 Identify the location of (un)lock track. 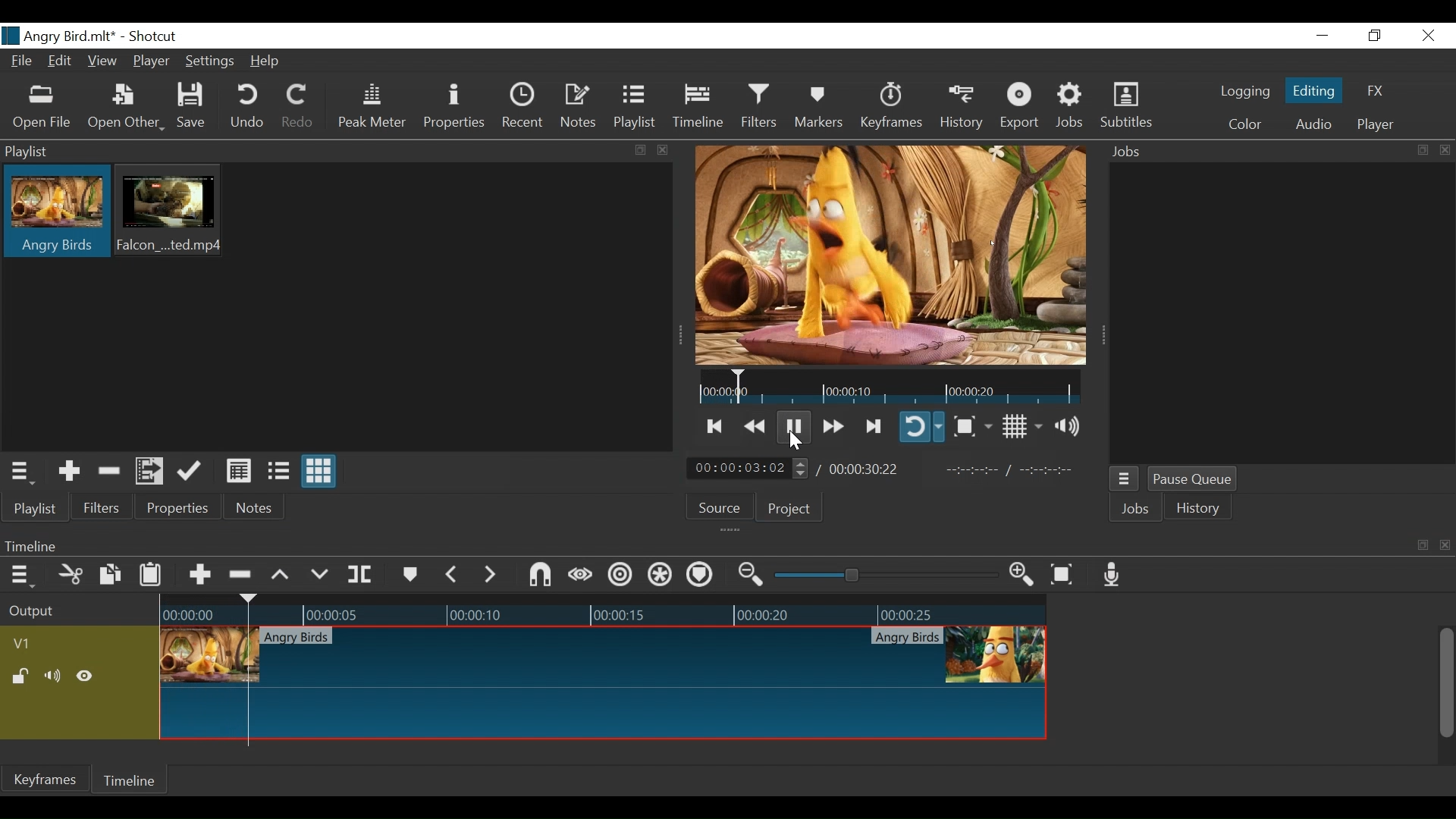
(20, 679).